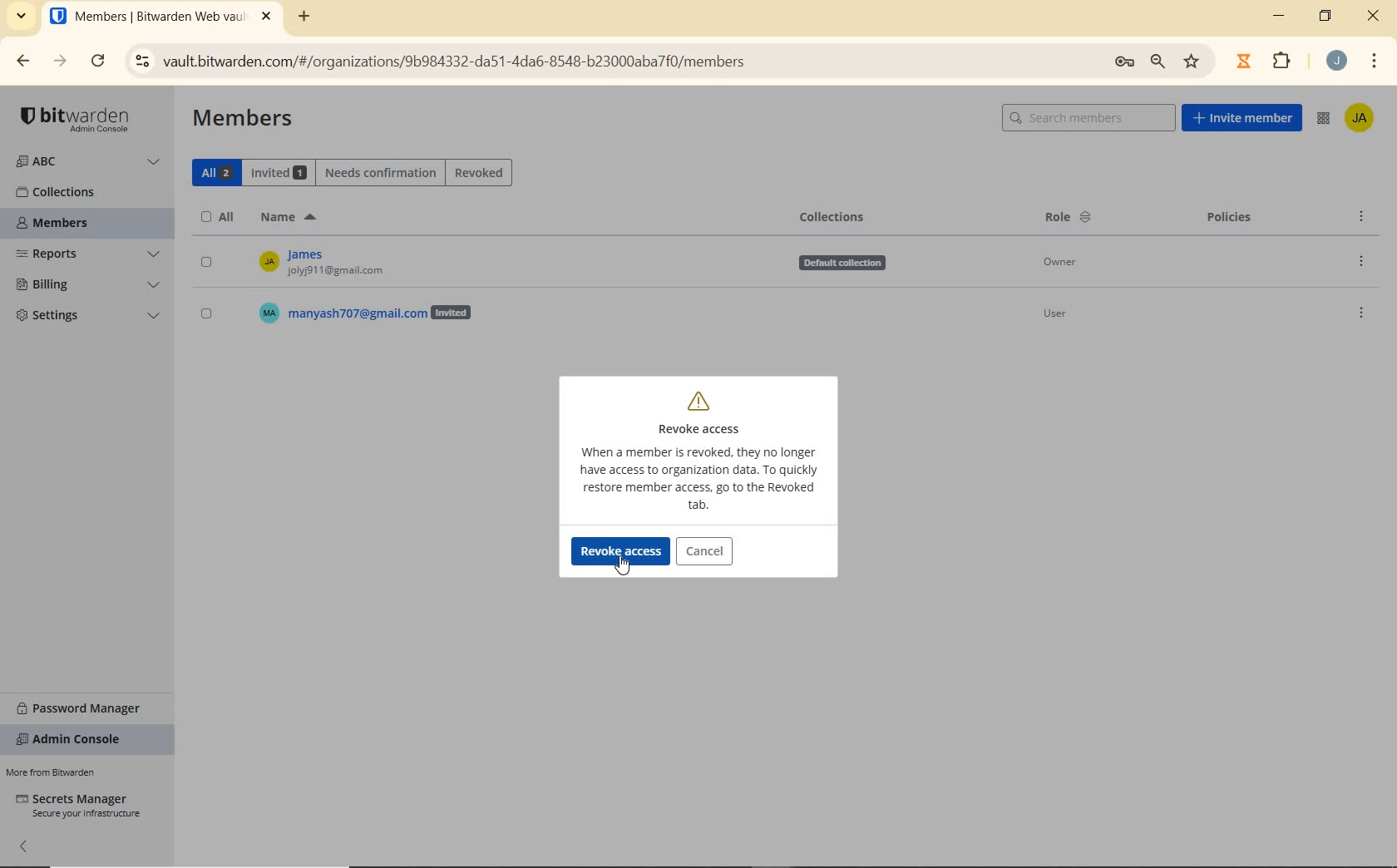 The image size is (1397, 868). What do you see at coordinates (74, 740) in the screenshot?
I see `ADMIN CONSOLE` at bounding box center [74, 740].